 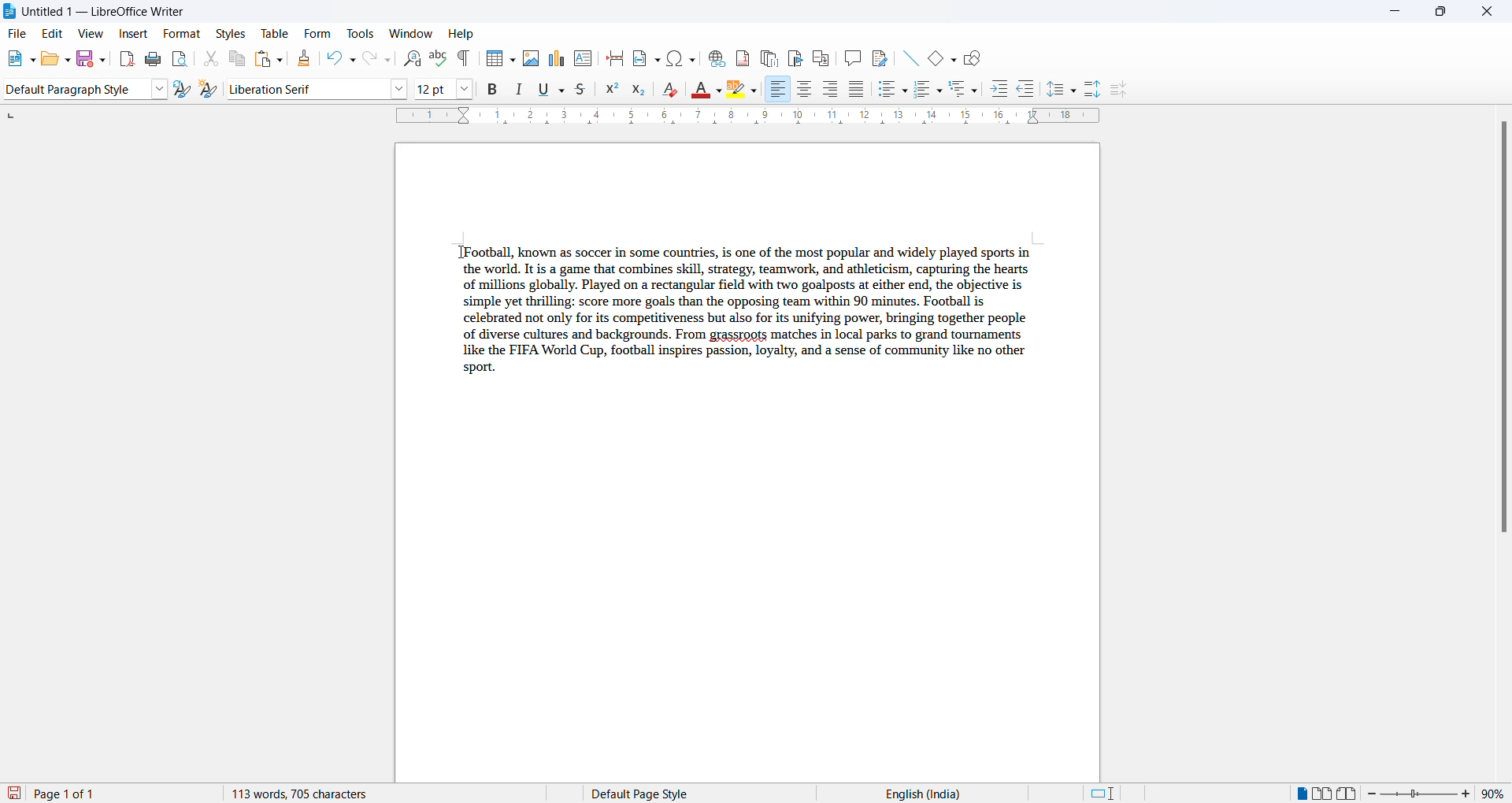 I want to click on page style, so click(x=721, y=794).